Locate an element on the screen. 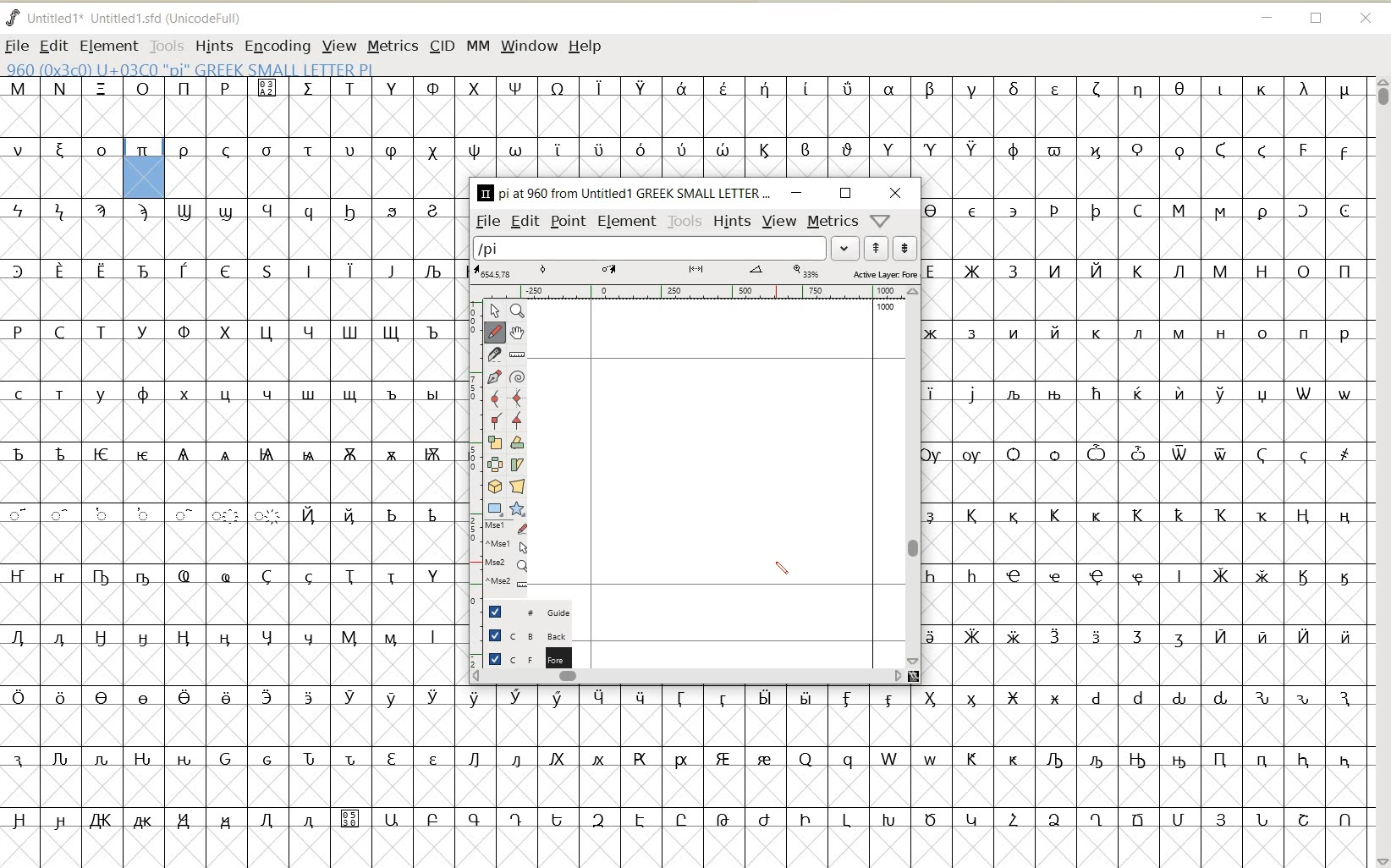 This screenshot has width=1391, height=868. Glyph characters and numbers is located at coordinates (226, 474).